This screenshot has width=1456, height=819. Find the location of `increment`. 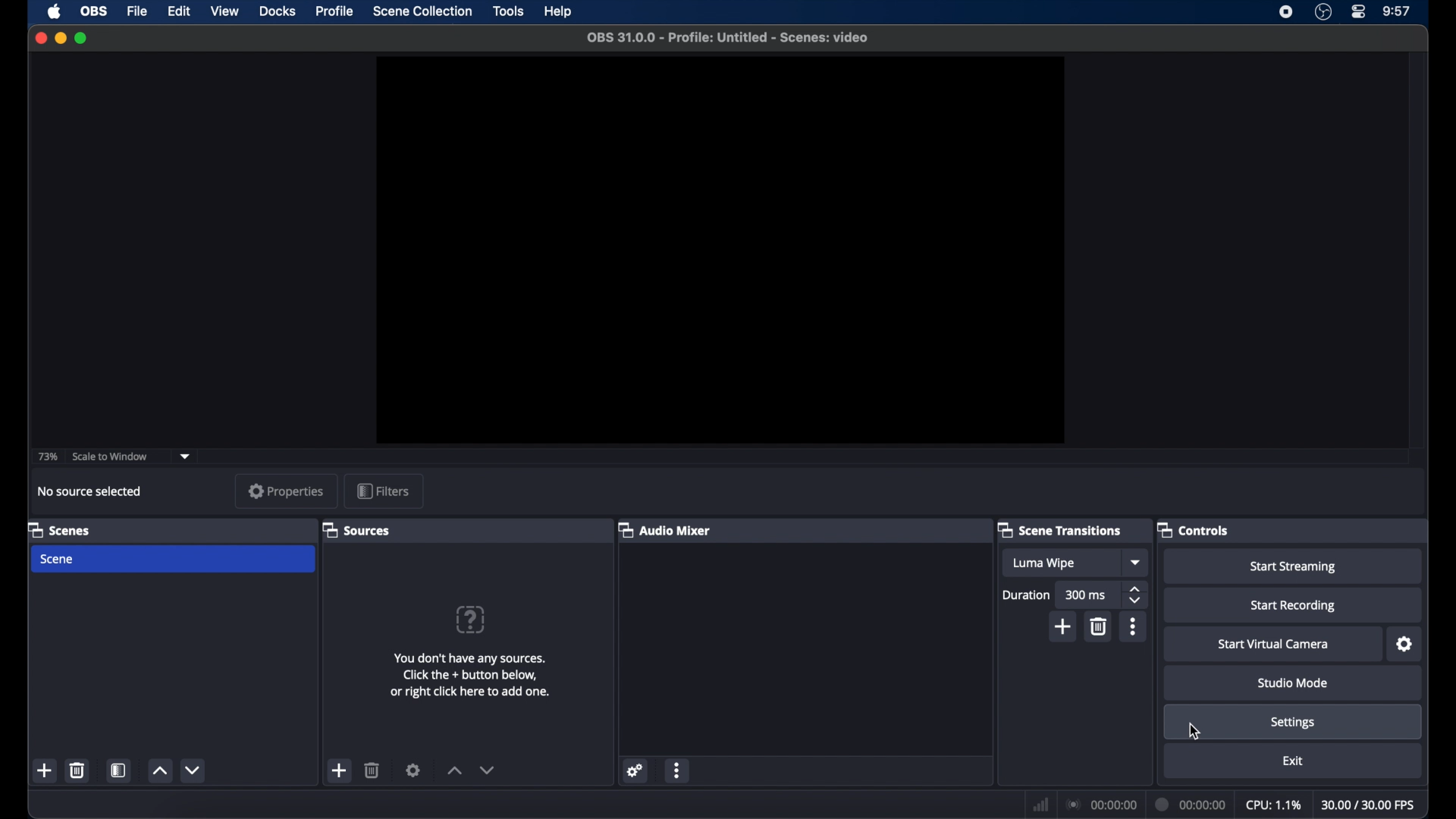

increment is located at coordinates (159, 770).